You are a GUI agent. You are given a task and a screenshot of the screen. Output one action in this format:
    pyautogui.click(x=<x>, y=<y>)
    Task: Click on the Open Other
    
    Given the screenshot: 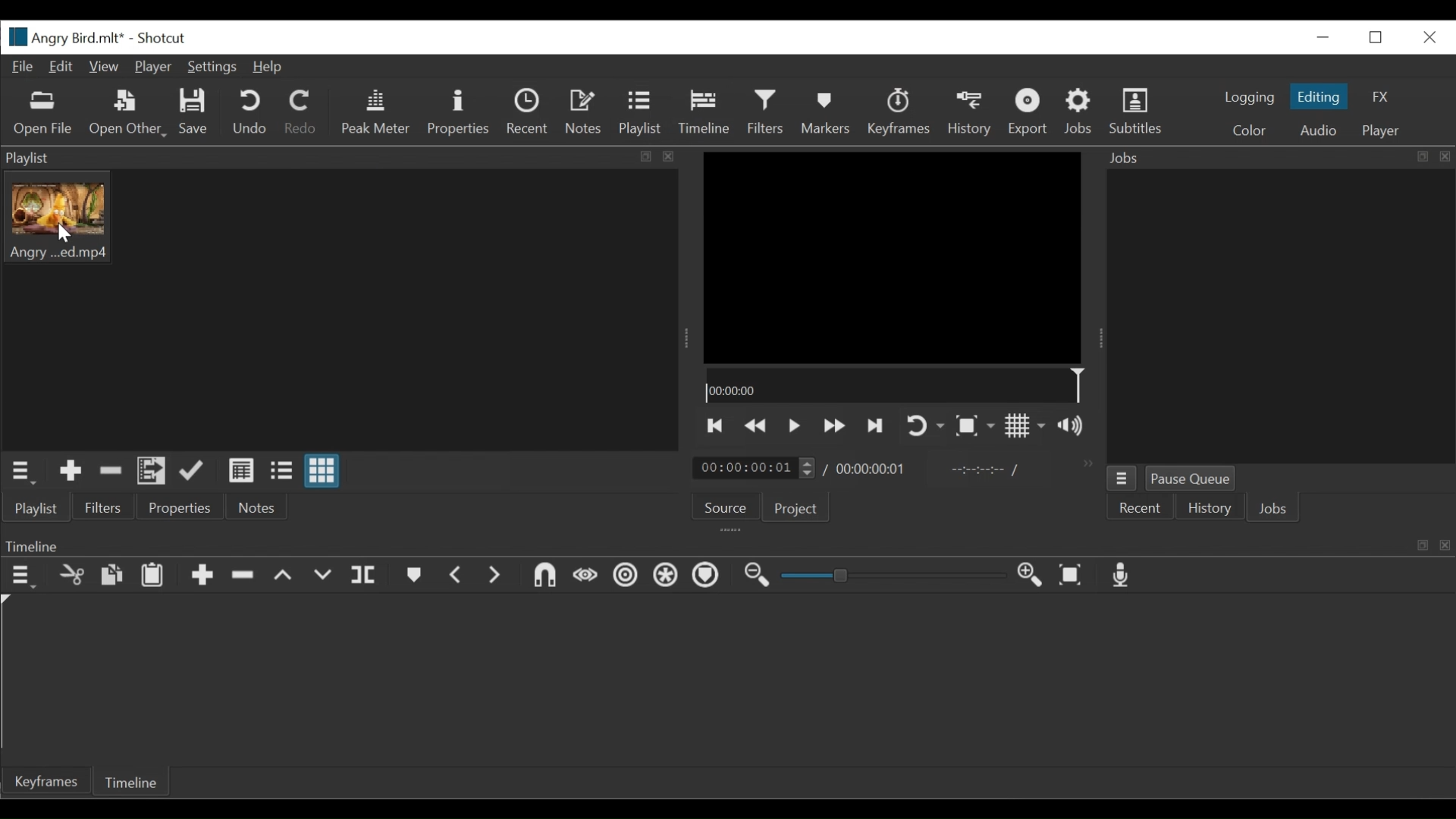 What is the action you would take?
    pyautogui.click(x=129, y=113)
    